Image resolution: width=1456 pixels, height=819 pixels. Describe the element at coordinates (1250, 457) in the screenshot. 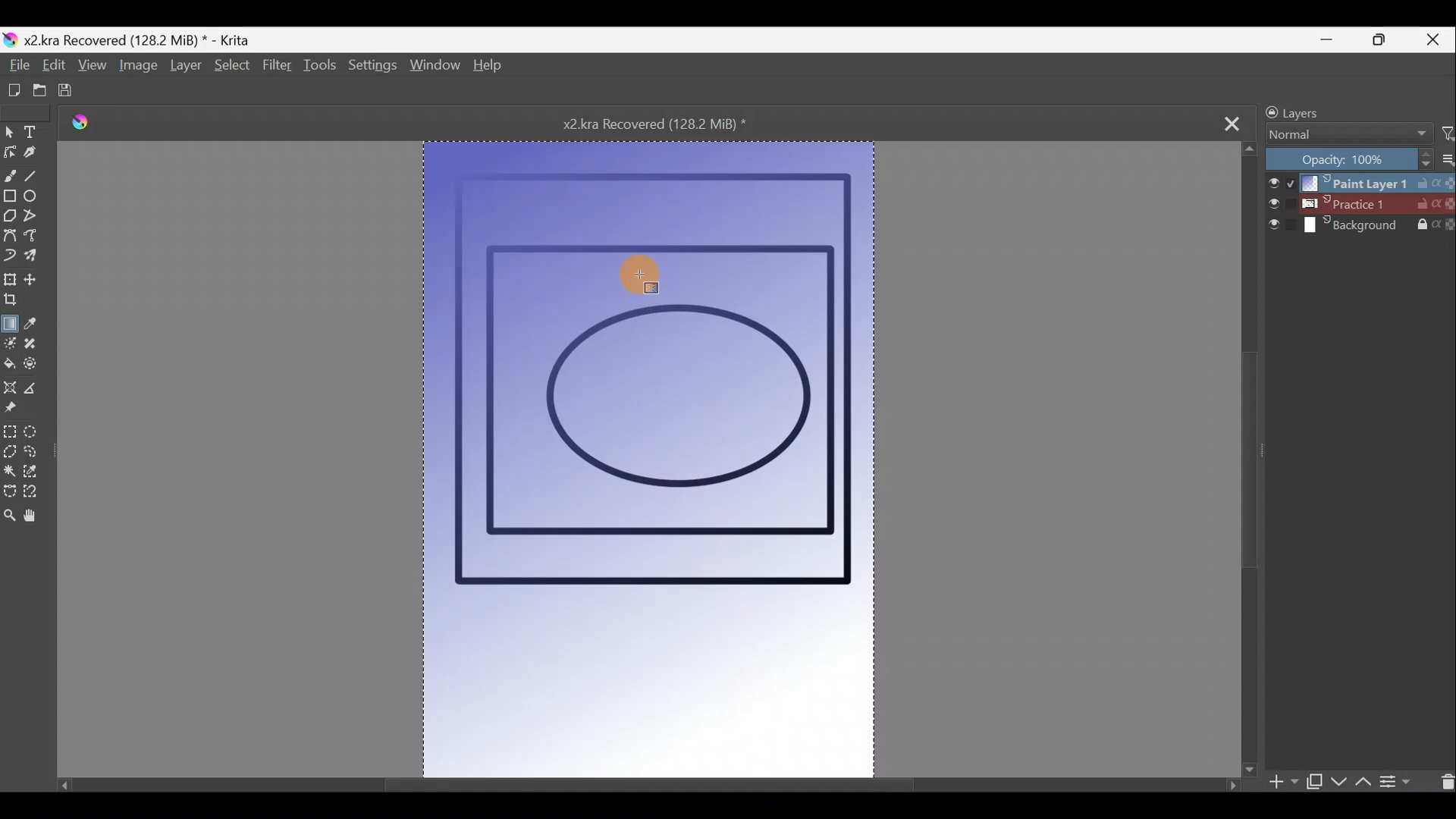

I see `Scroll bar` at that location.